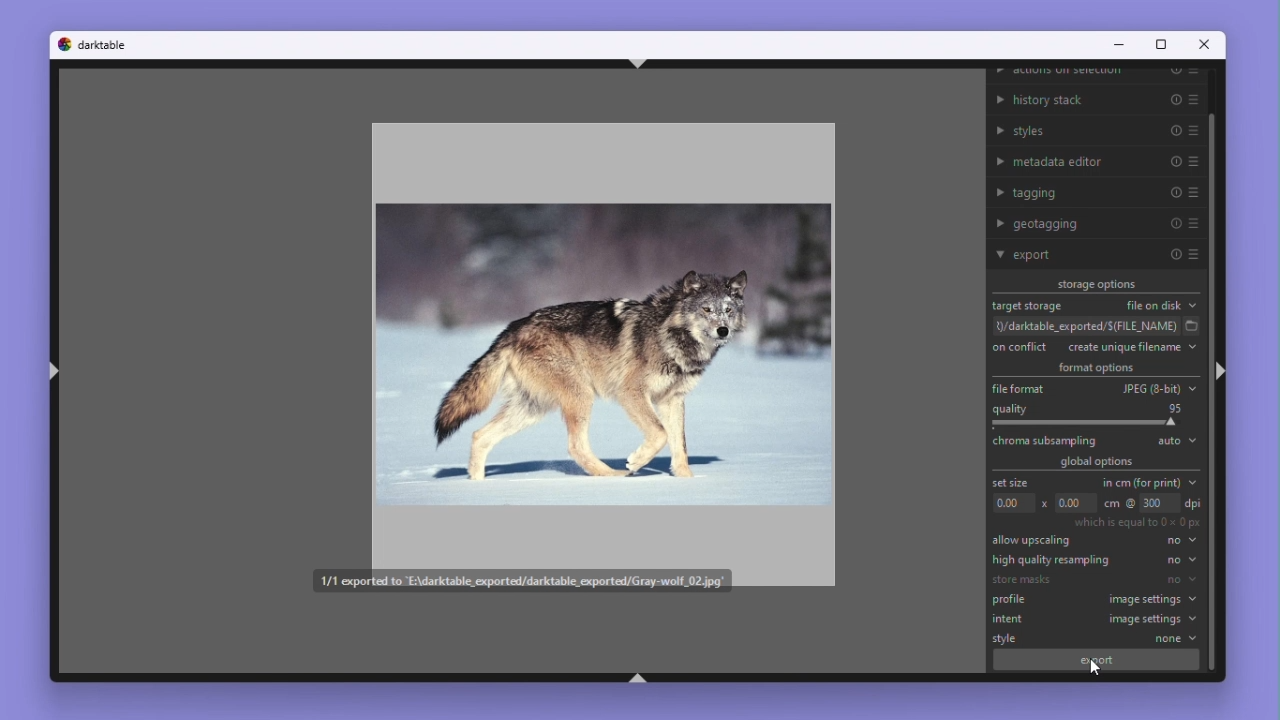 This screenshot has height=720, width=1280. Describe the element at coordinates (1193, 504) in the screenshot. I see `dpi` at that location.